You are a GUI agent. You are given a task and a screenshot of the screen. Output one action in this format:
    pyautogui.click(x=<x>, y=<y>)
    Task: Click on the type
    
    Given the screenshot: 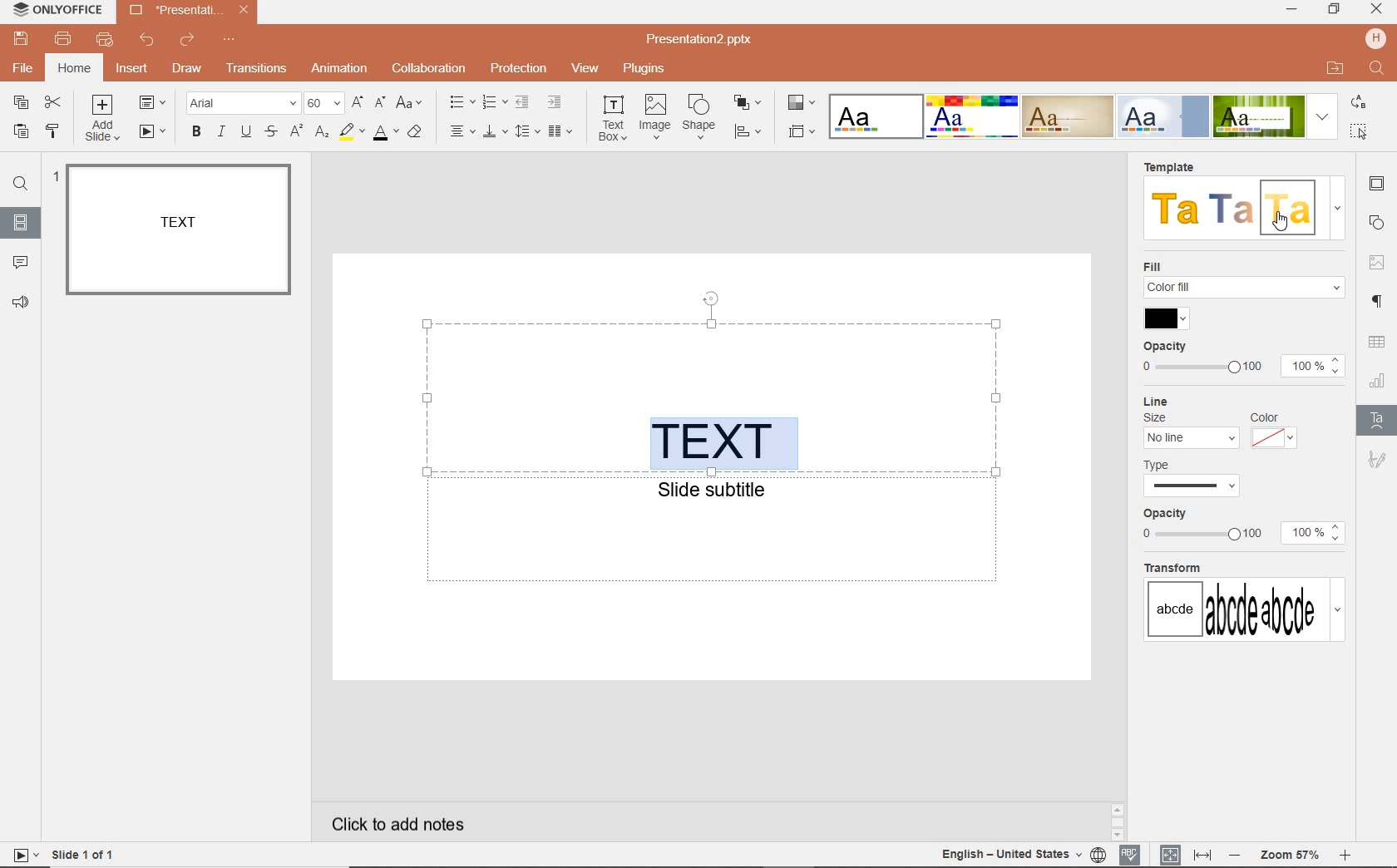 What is the action you would take?
    pyautogui.click(x=1199, y=480)
    